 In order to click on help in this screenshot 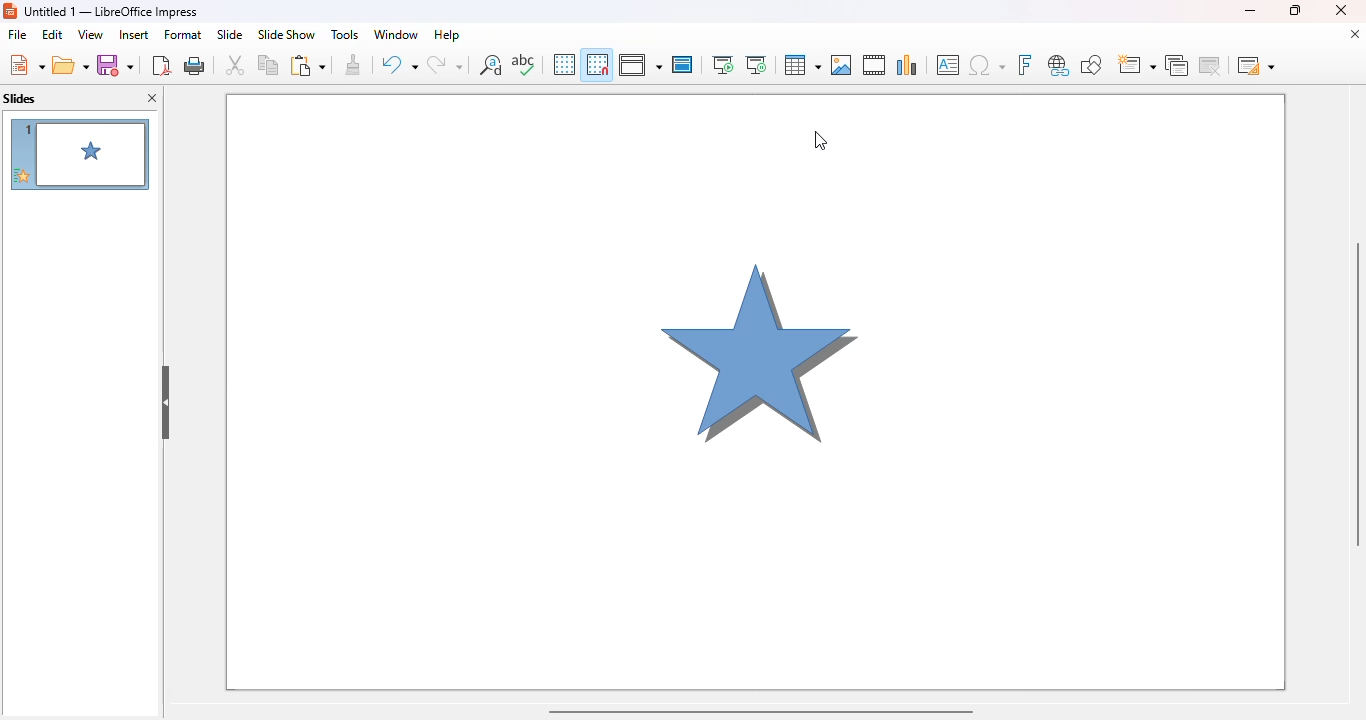, I will do `click(447, 36)`.